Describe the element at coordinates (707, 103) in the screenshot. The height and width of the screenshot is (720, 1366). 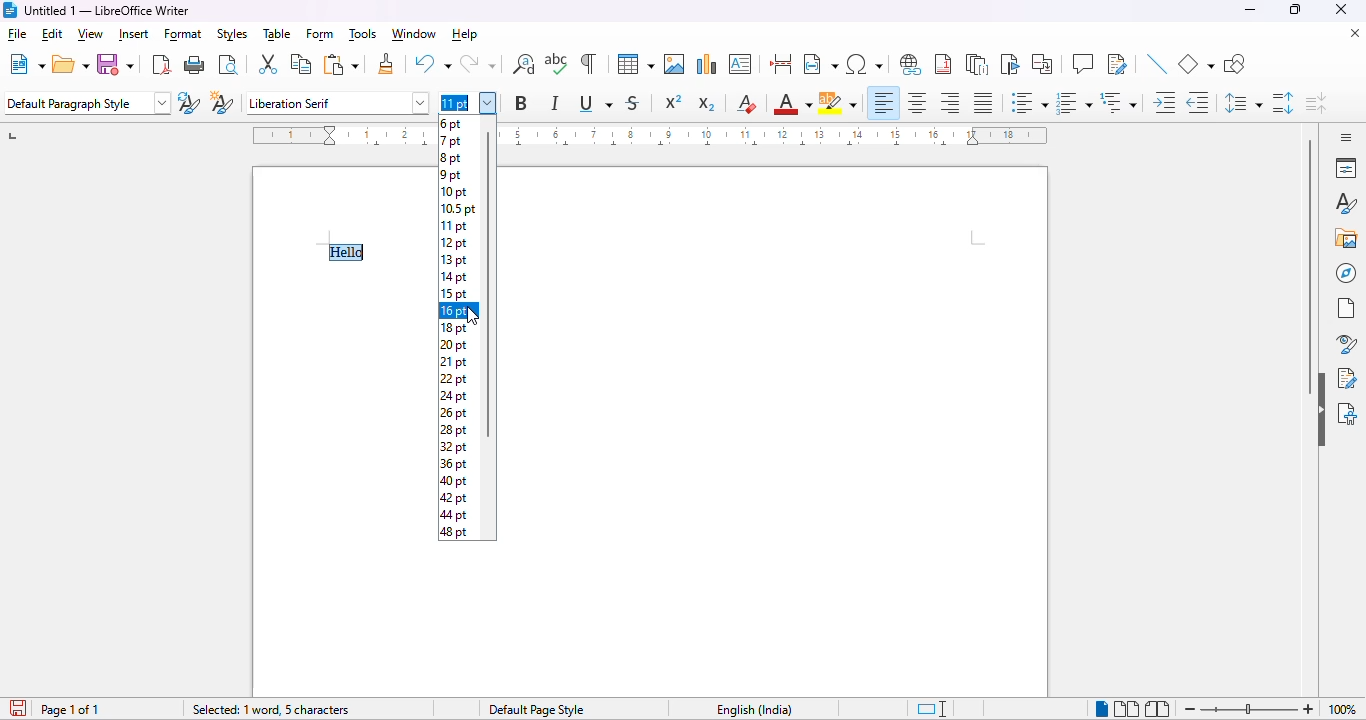
I see `subscript` at that location.